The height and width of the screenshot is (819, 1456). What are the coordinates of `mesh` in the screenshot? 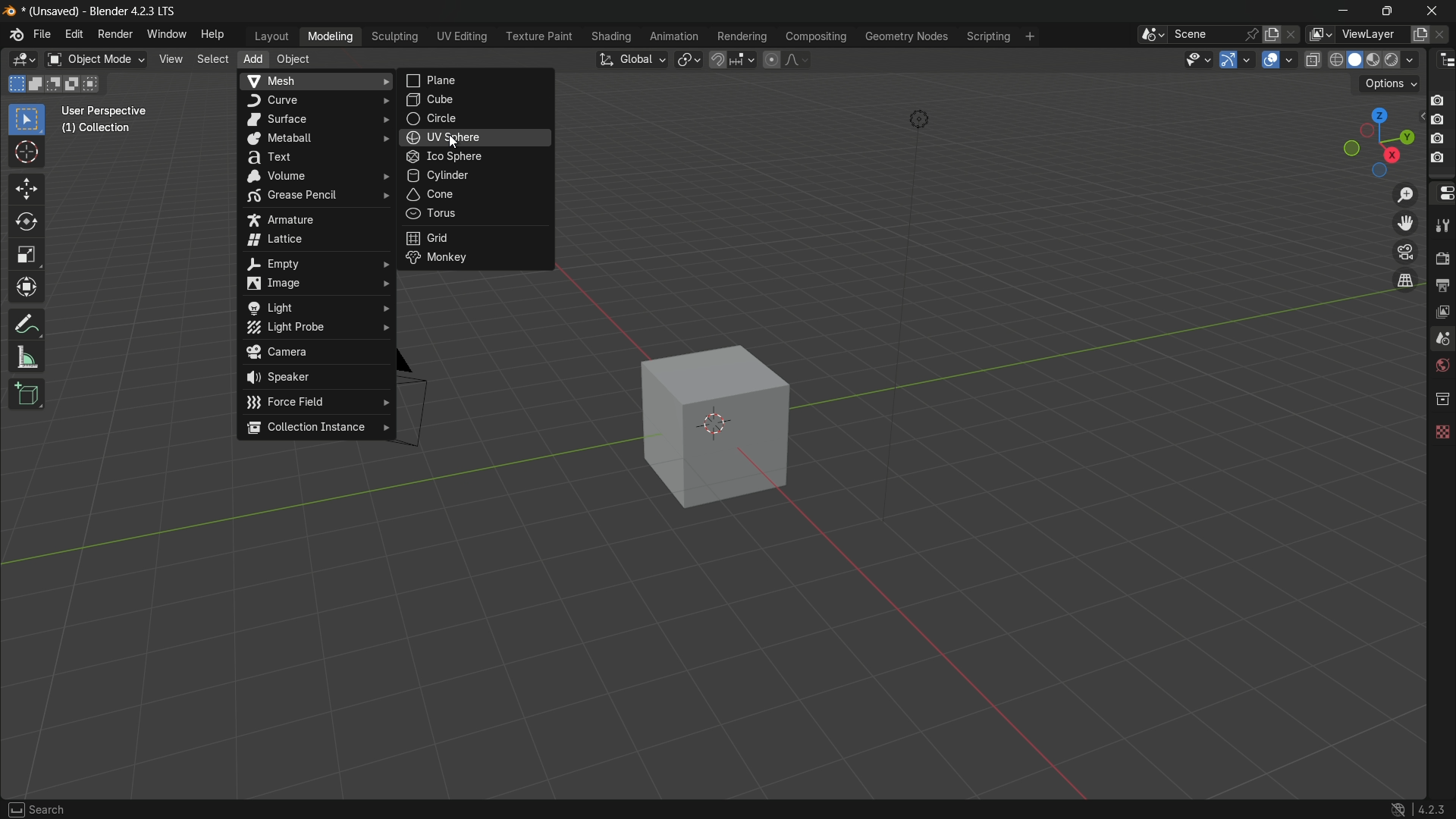 It's located at (316, 80).